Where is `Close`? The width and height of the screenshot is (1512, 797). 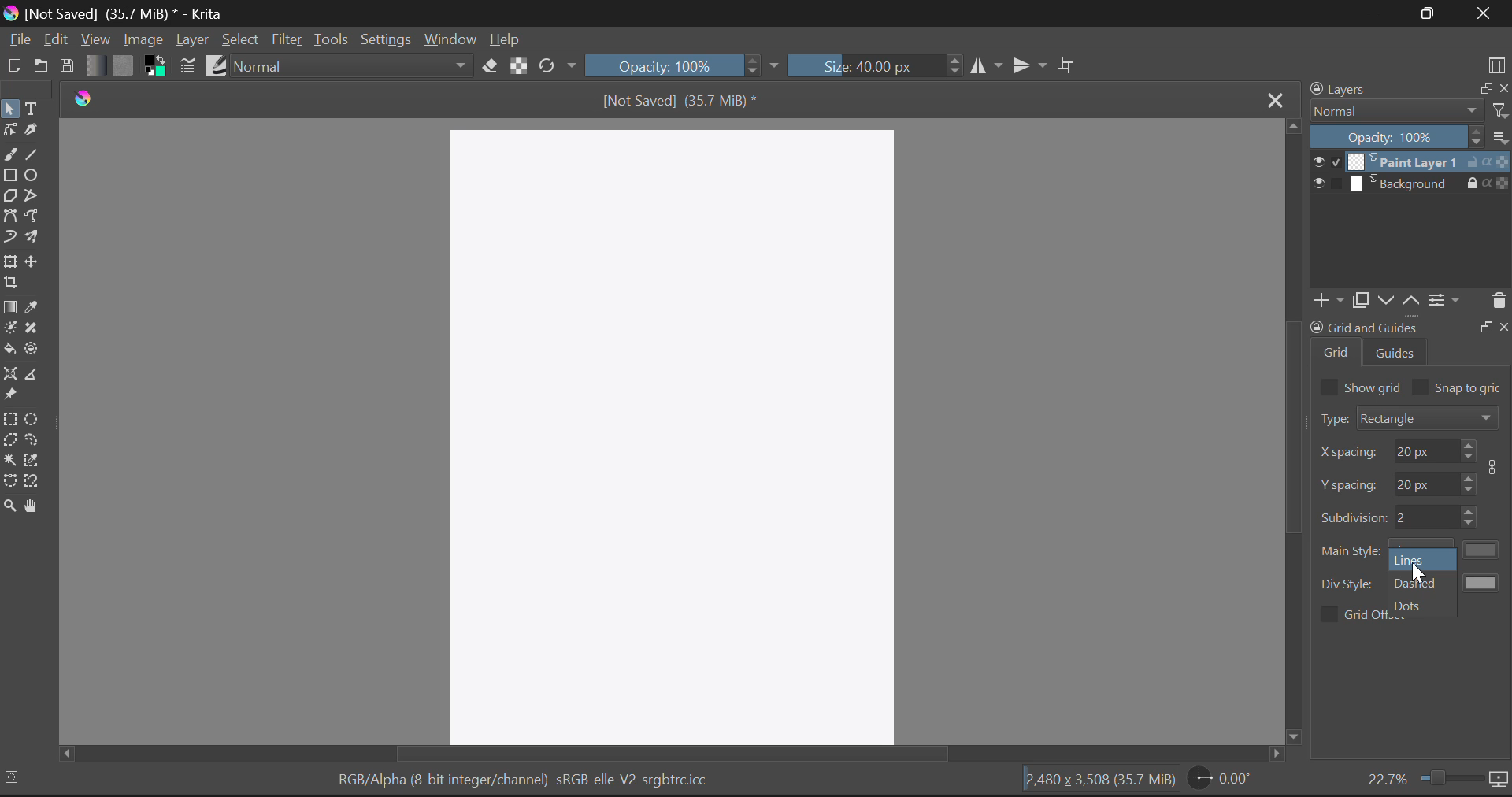
Close is located at coordinates (1273, 98).